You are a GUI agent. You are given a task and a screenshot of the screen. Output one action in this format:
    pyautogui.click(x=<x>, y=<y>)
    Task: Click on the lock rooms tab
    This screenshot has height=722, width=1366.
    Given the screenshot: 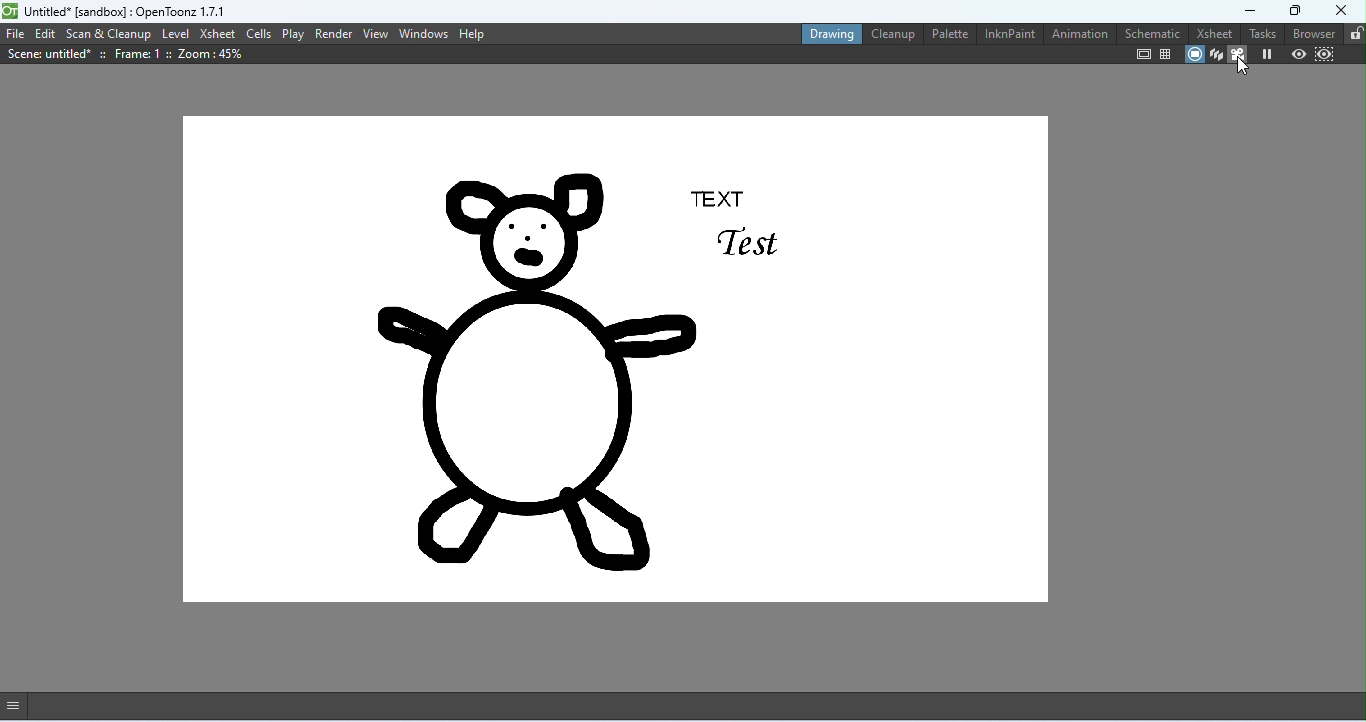 What is the action you would take?
    pyautogui.click(x=1353, y=33)
    